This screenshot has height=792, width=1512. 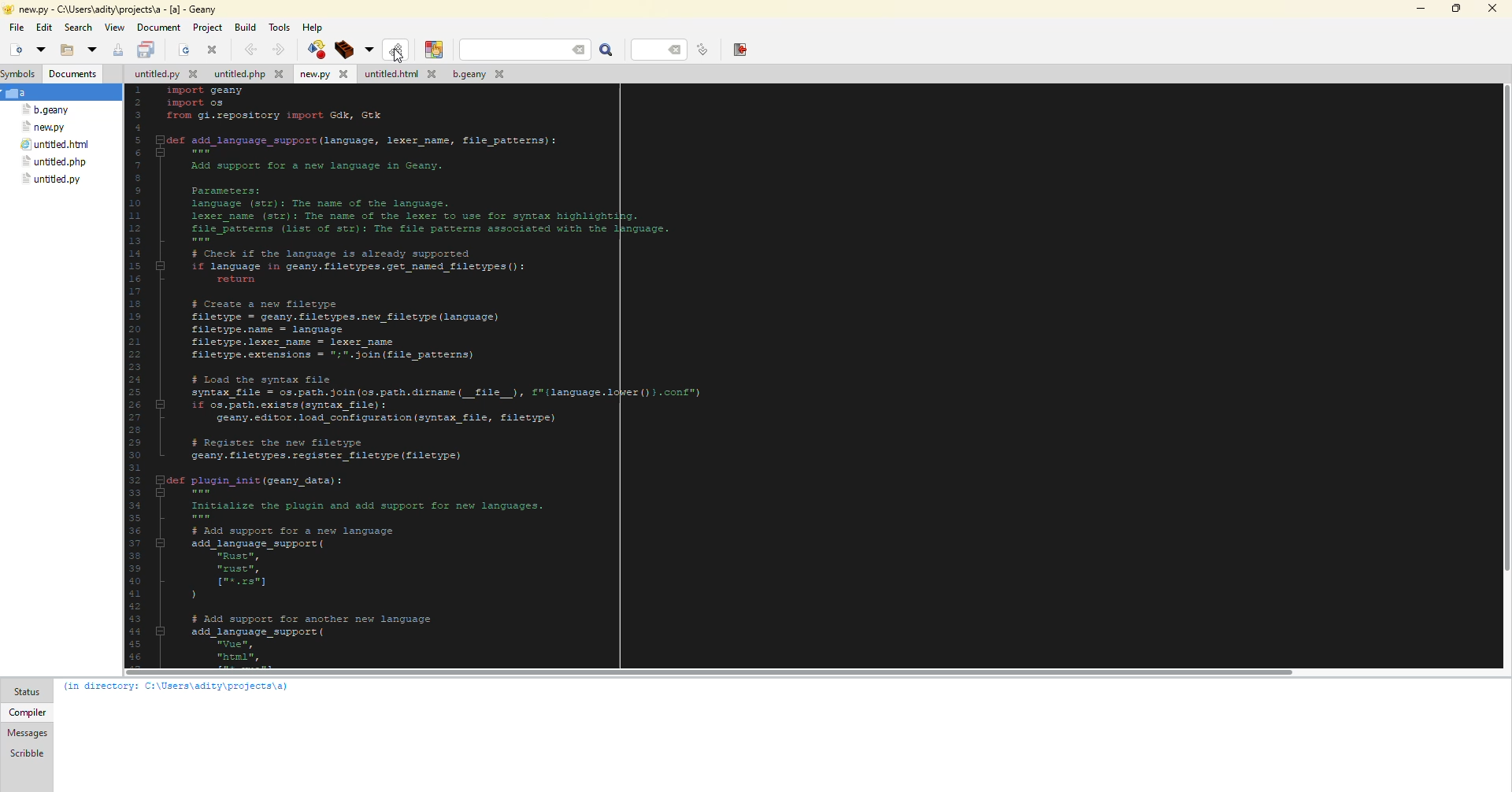 I want to click on file, so click(x=55, y=161).